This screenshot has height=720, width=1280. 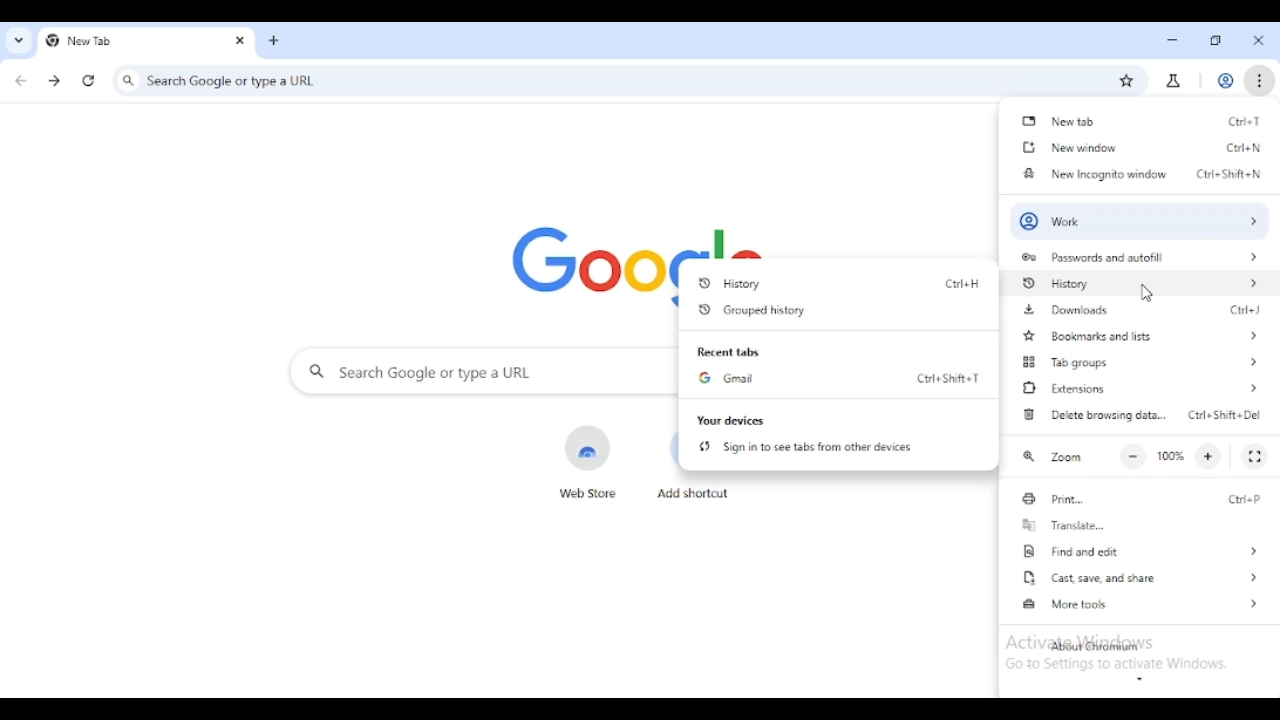 What do you see at coordinates (1094, 647) in the screenshot?
I see `about chromium` at bounding box center [1094, 647].